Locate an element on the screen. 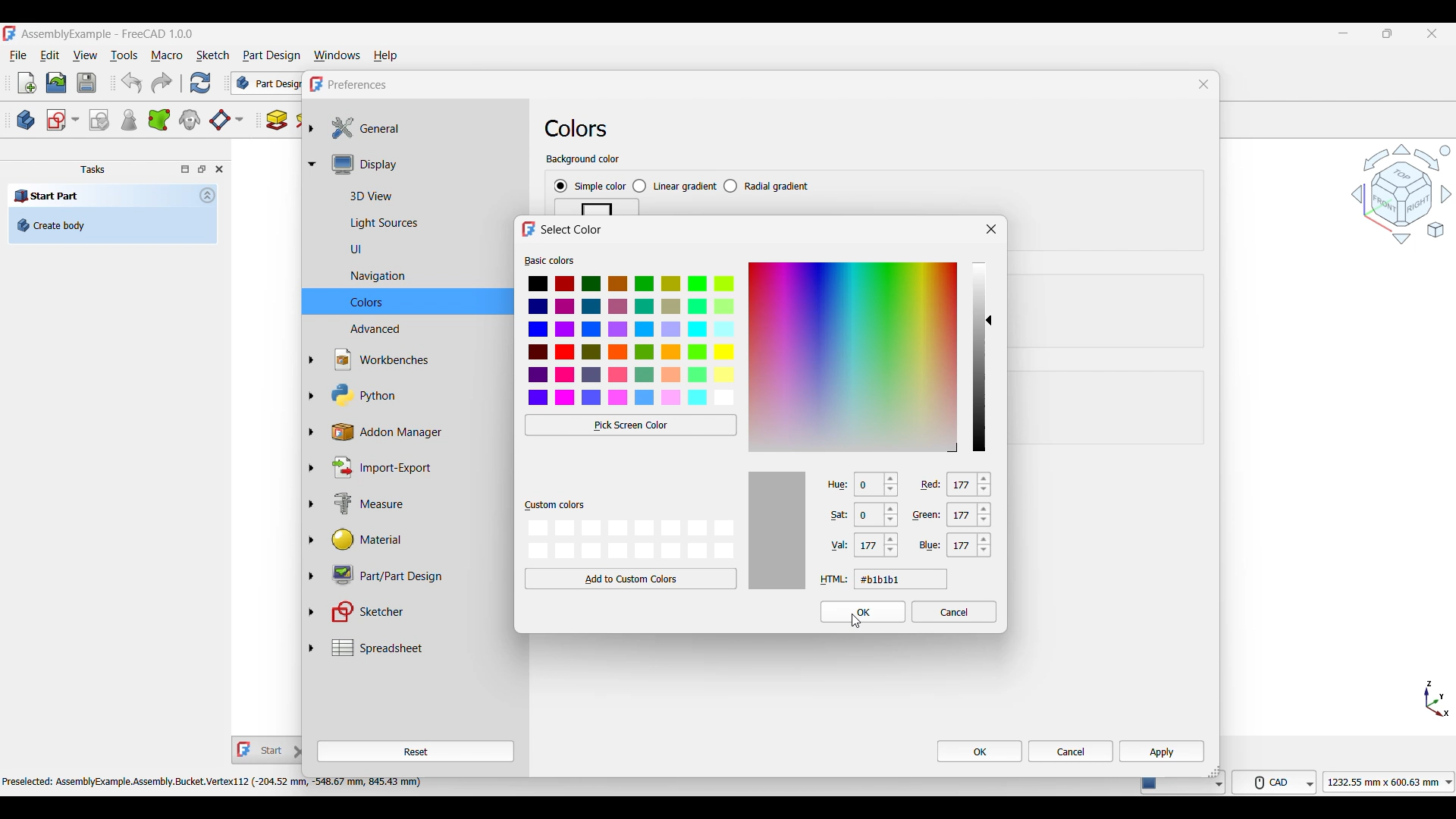 The height and width of the screenshot is (819, 1456). Colors is located at coordinates (417, 302).